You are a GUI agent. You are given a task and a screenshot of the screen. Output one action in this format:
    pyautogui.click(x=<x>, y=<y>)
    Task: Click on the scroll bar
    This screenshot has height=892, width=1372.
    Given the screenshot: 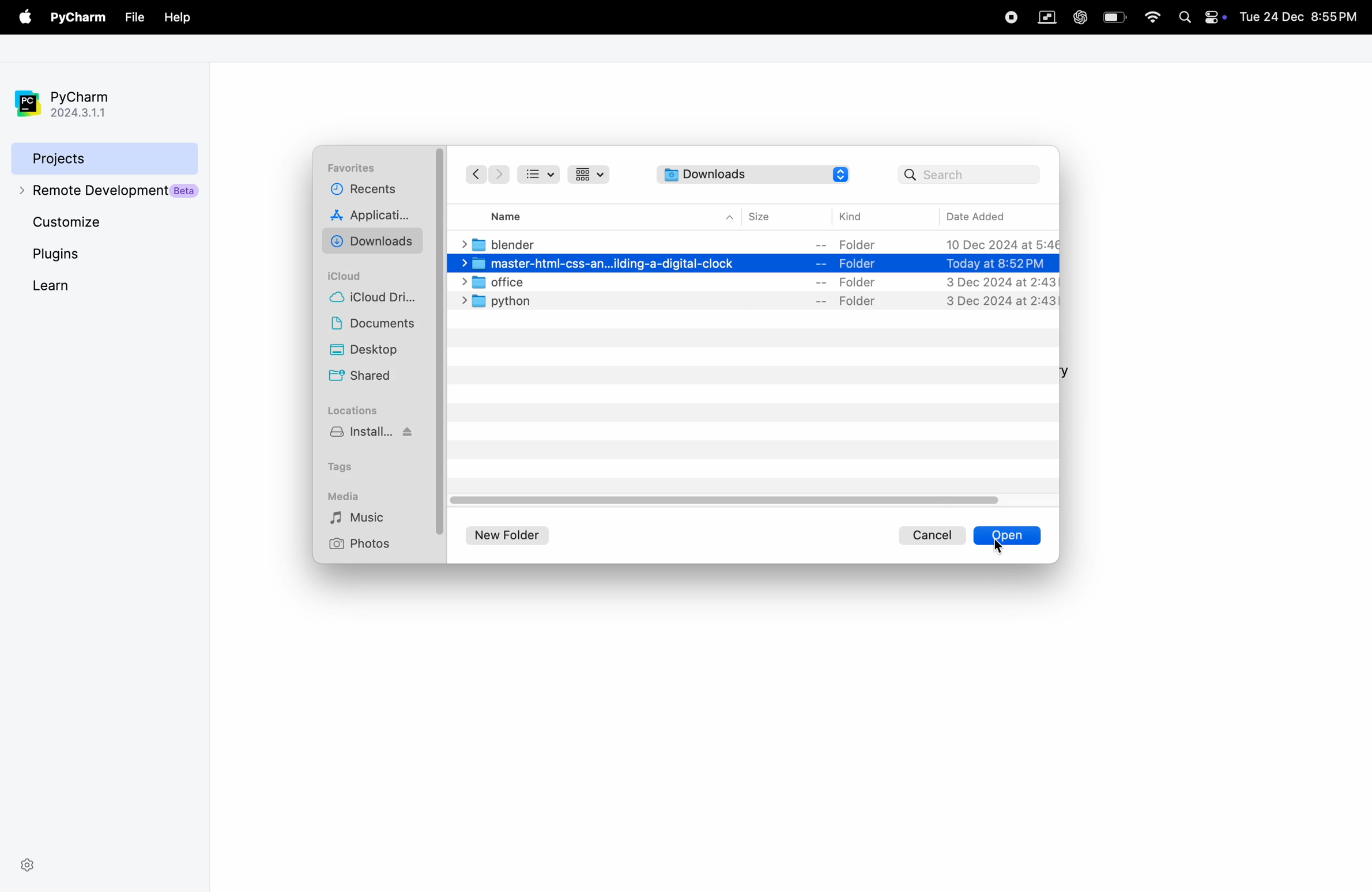 What is the action you would take?
    pyautogui.click(x=442, y=346)
    